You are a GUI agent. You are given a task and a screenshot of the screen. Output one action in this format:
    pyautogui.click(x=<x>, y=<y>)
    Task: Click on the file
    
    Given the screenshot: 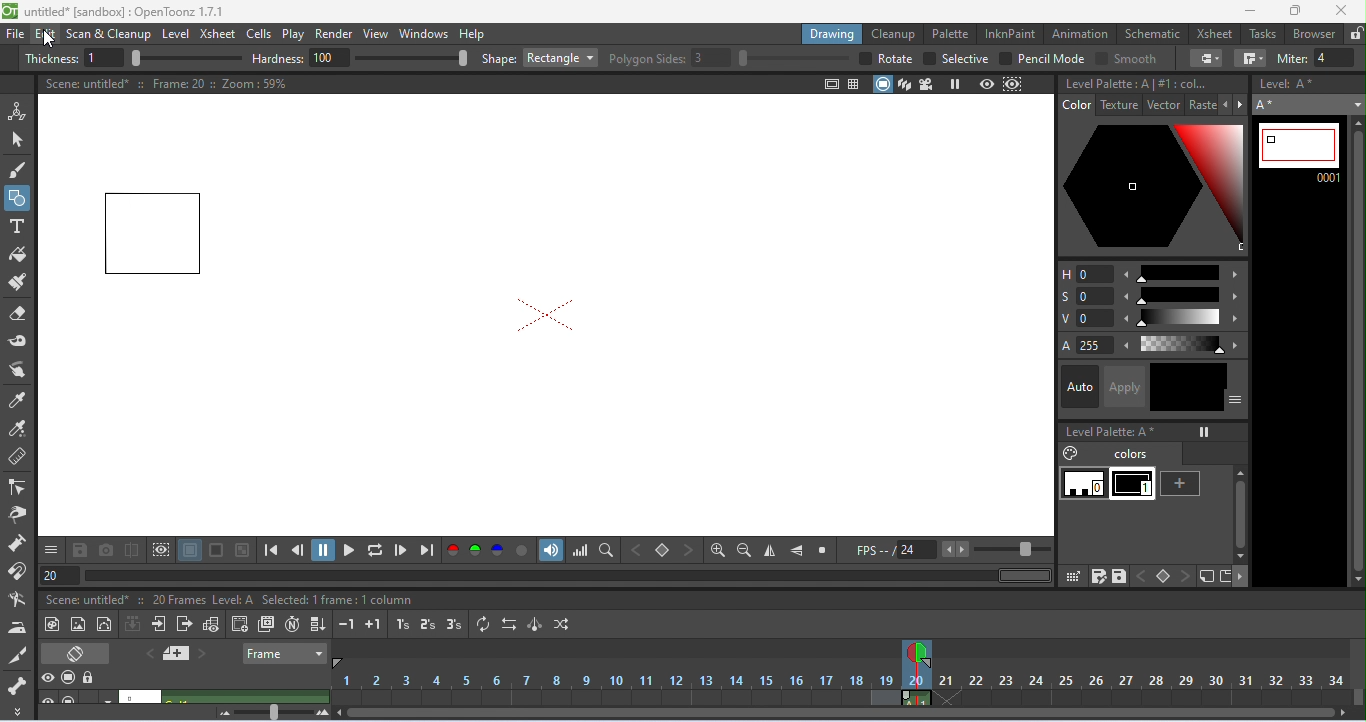 What is the action you would take?
    pyautogui.click(x=14, y=33)
    